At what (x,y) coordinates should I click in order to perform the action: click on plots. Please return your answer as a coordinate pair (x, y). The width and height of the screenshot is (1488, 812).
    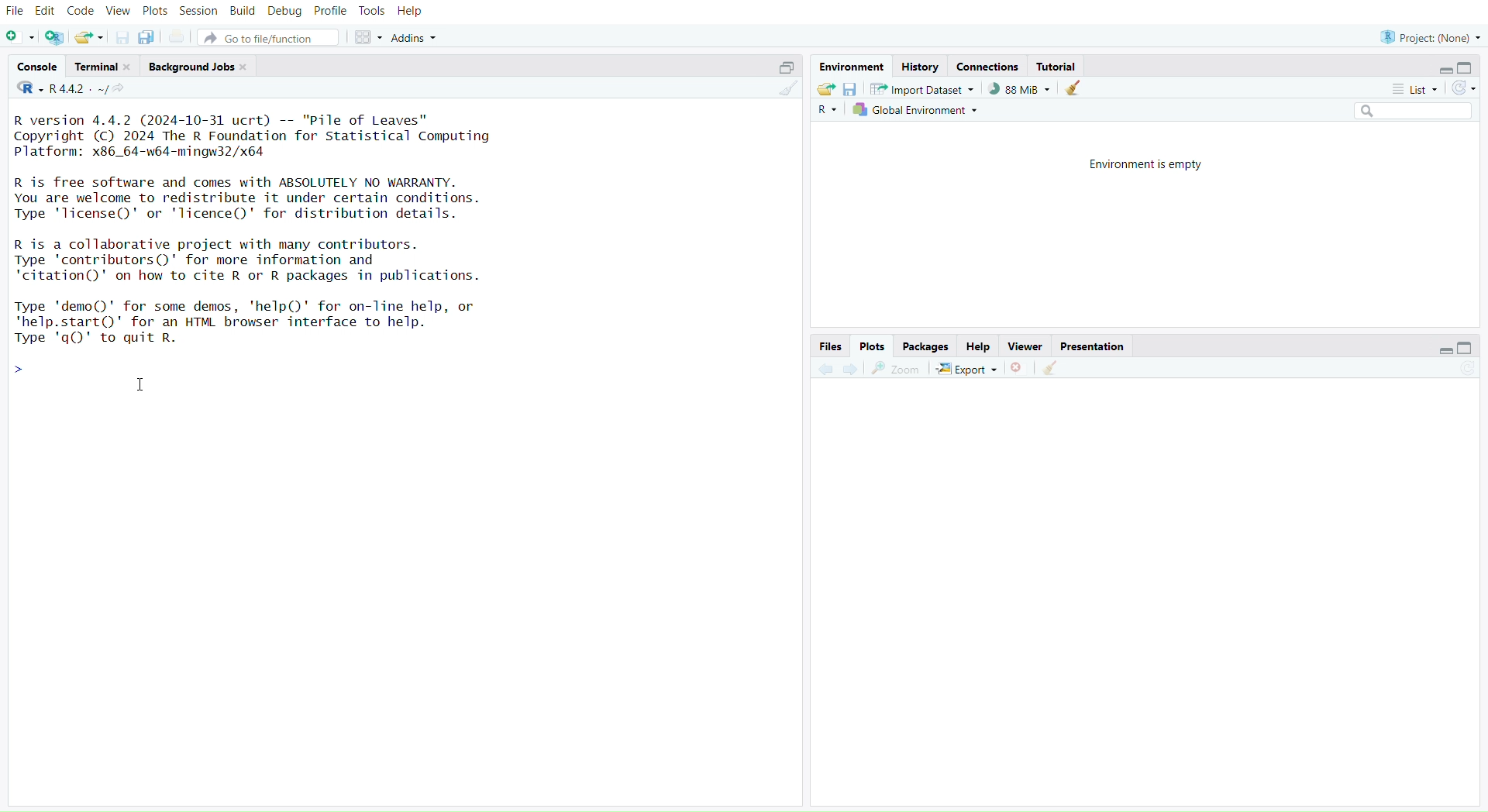
    Looking at the image, I should click on (871, 346).